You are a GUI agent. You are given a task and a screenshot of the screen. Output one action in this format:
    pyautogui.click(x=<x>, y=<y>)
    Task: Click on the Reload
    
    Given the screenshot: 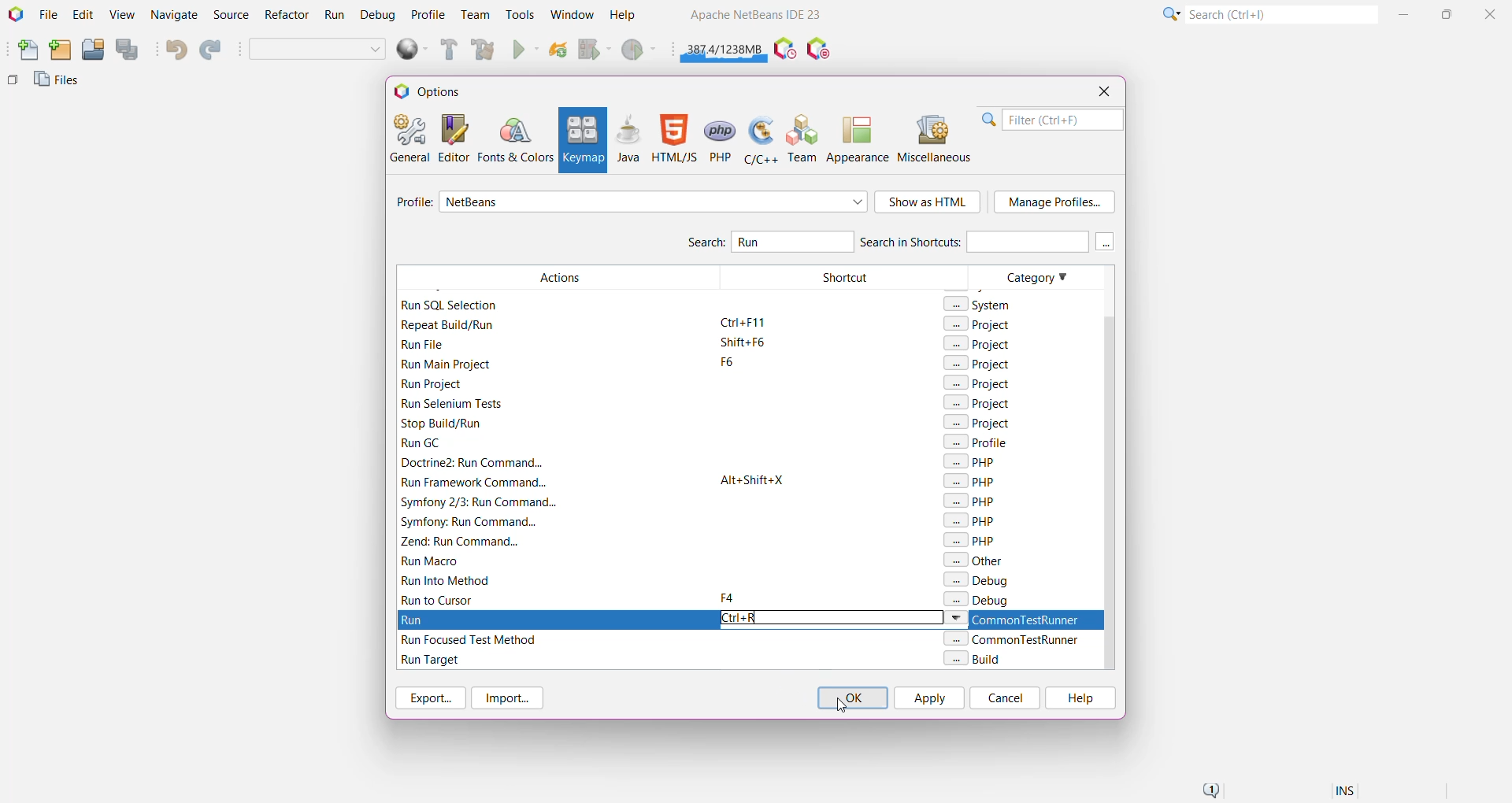 What is the action you would take?
    pyautogui.click(x=558, y=51)
    